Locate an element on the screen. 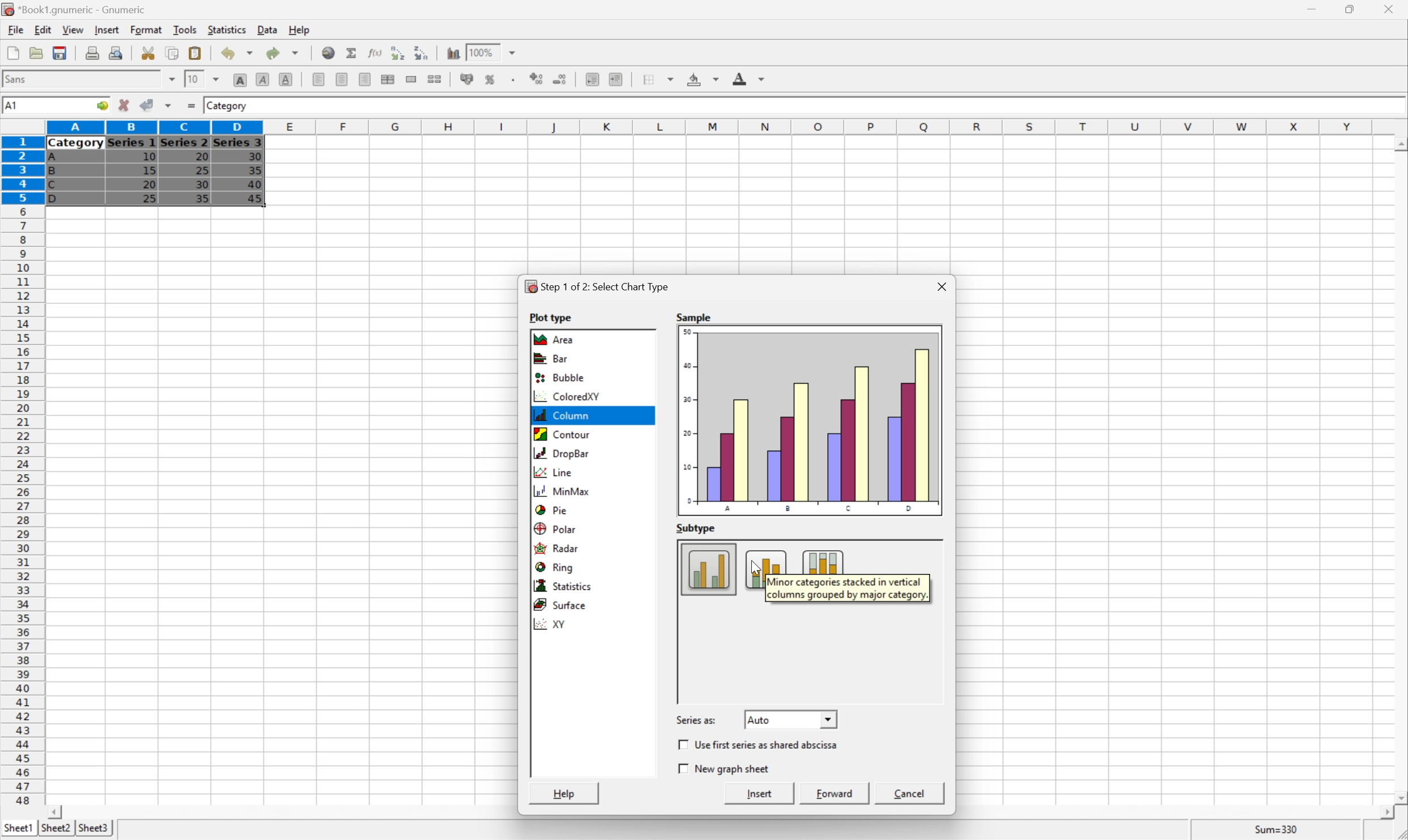  Use first series as shared abscissa is located at coordinates (768, 744).